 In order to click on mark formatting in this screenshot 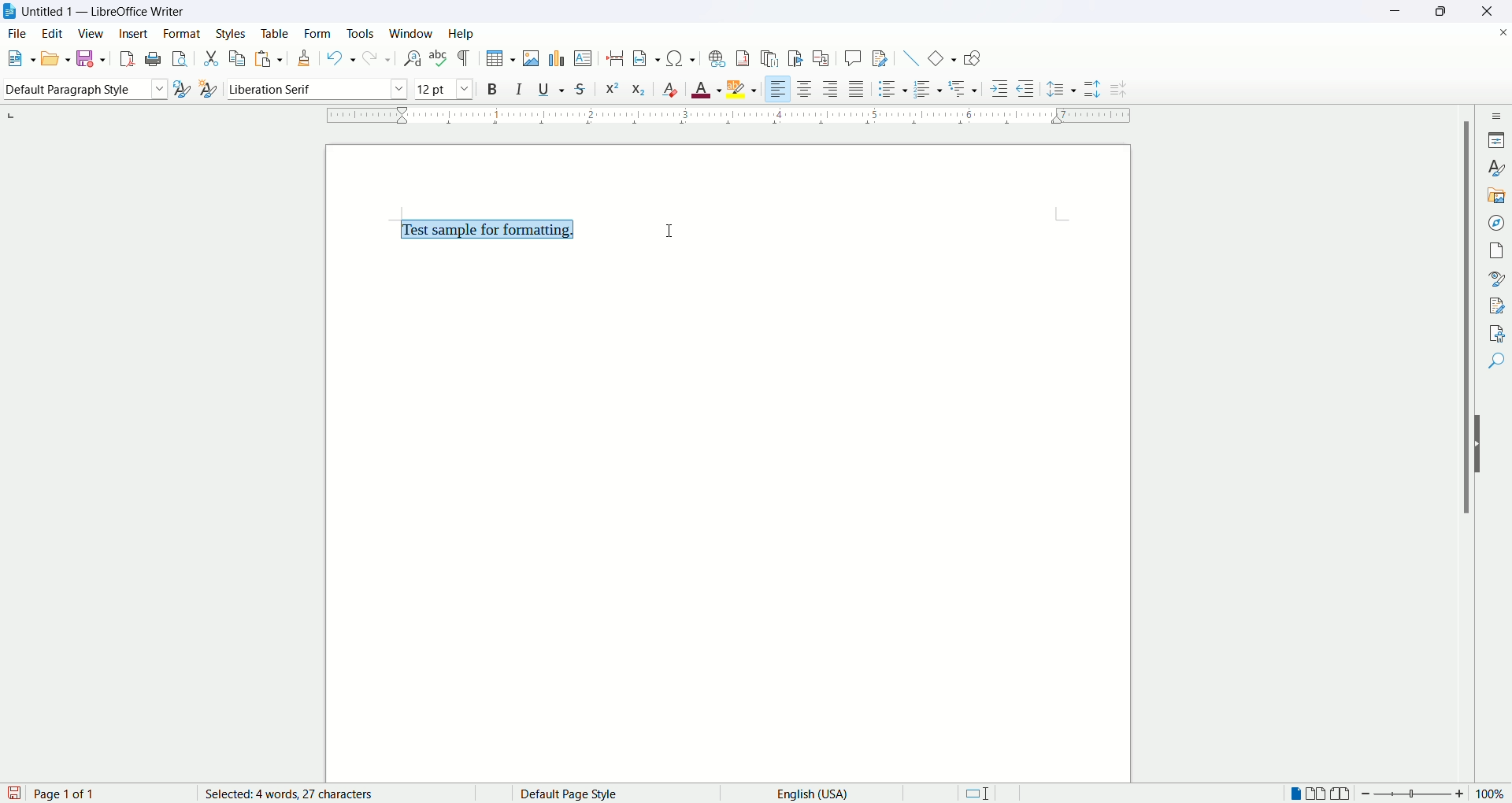, I will do `click(464, 58)`.